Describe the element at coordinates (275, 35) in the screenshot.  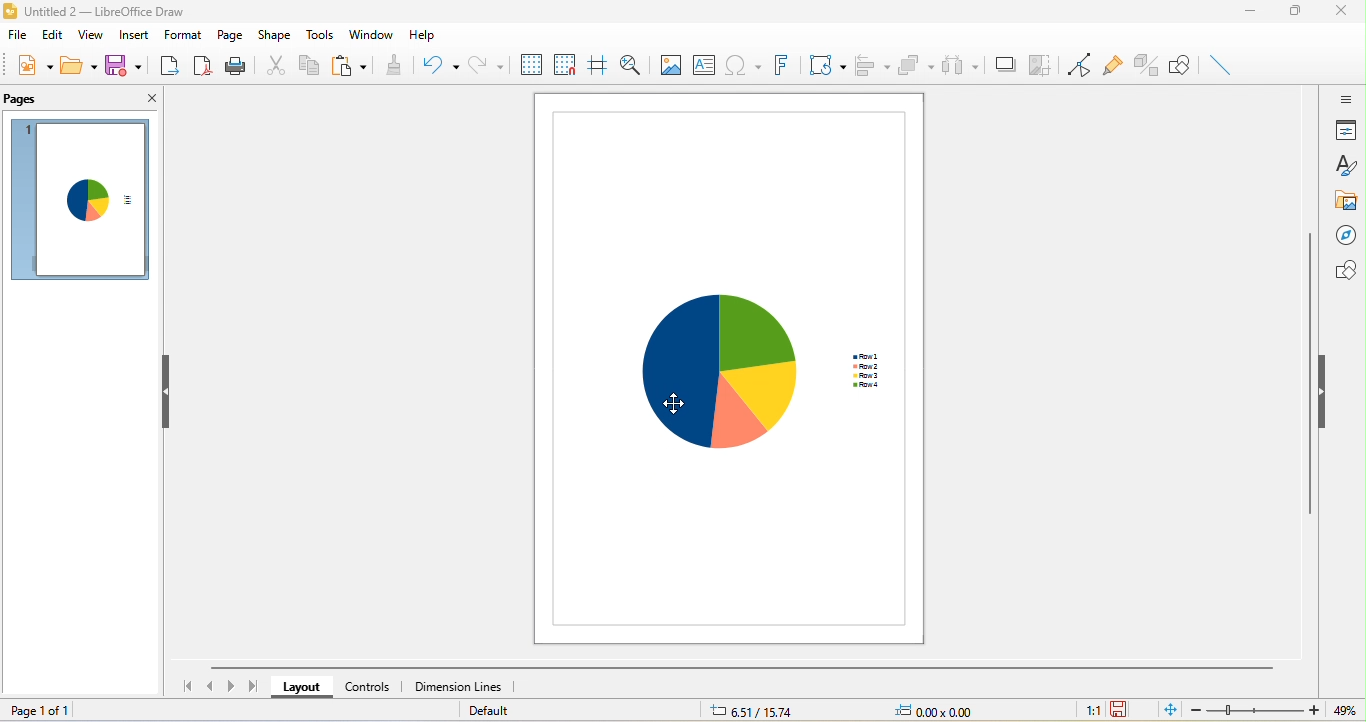
I see `shape` at that location.